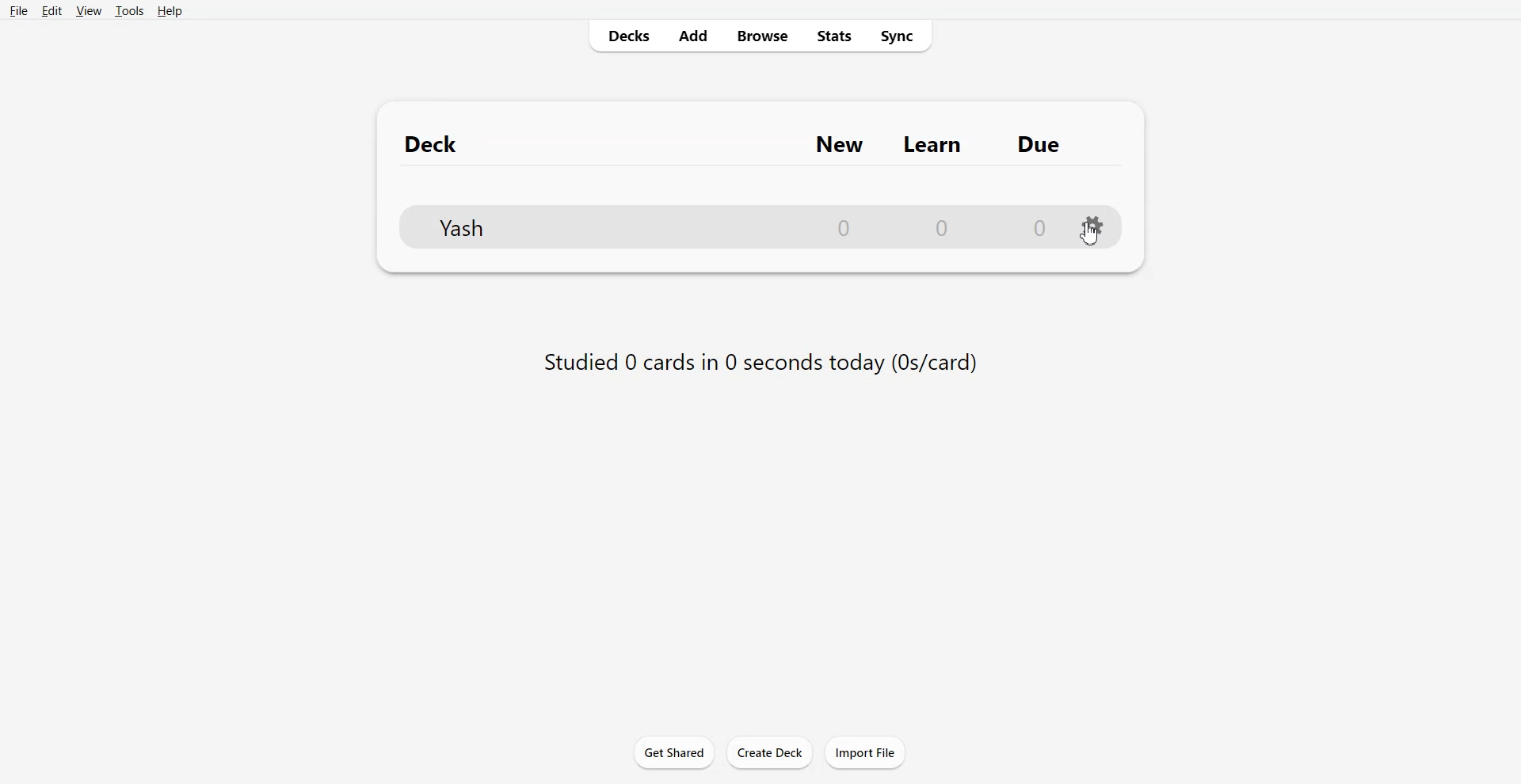 This screenshot has height=784, width=1521. Describe the element at coordinates (727, 226) in the screenshot. I see `YASH DECK` at that location.